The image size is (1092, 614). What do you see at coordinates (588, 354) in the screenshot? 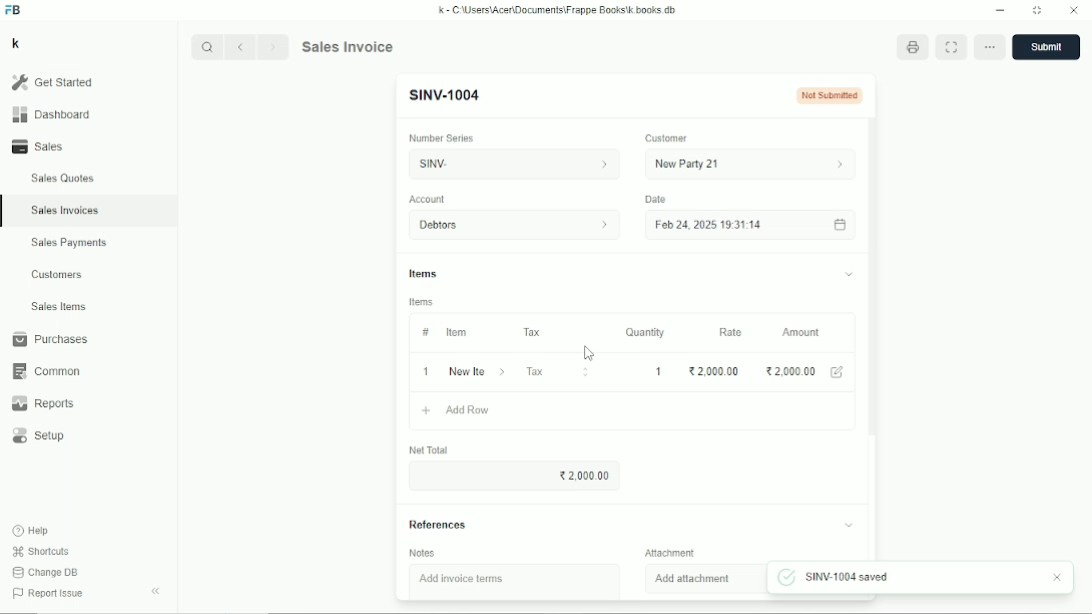
I see `Cursor` at bounding box center [588, 354].